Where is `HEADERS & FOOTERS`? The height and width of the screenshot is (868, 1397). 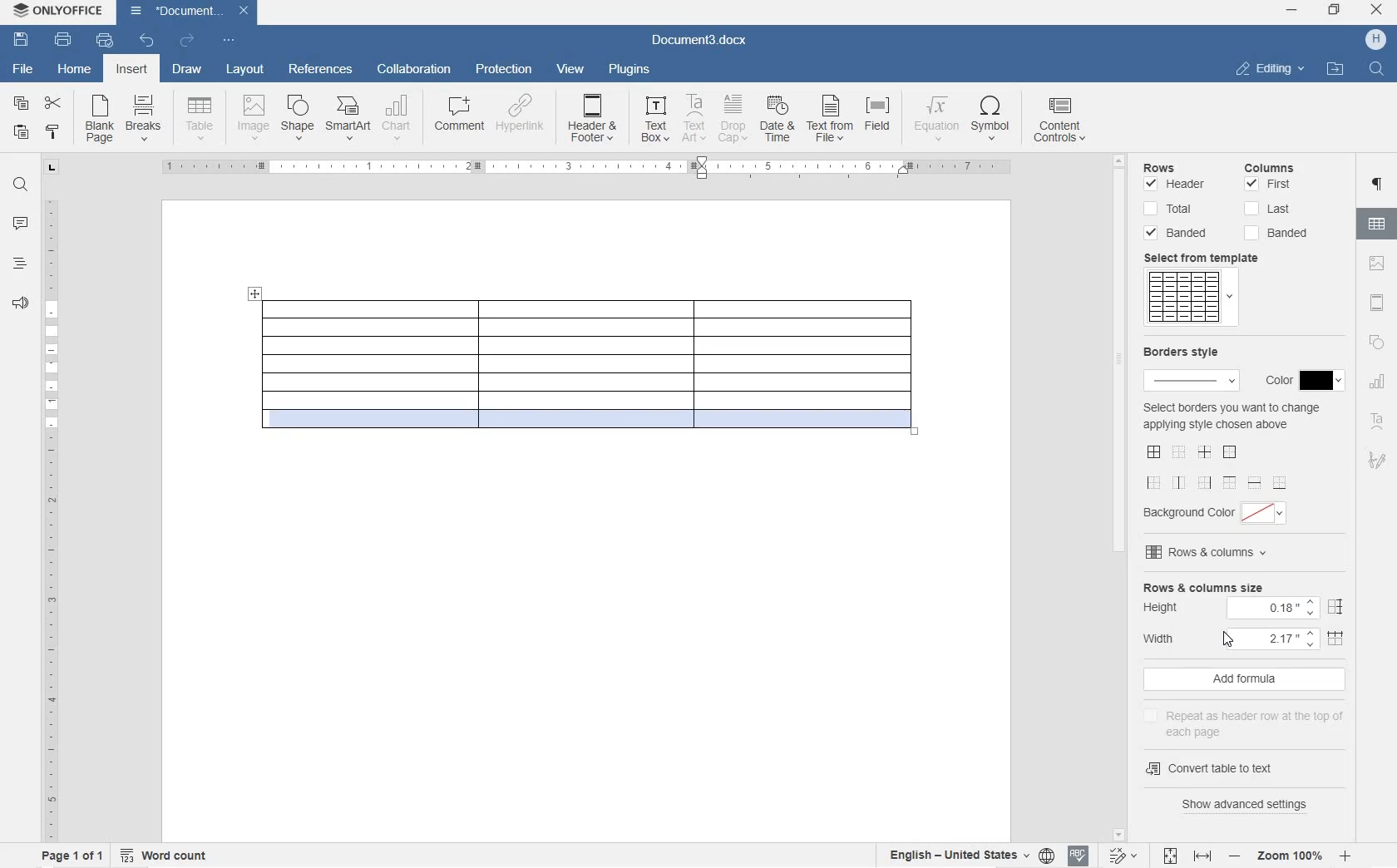 HEADERS & FOOTERS is located at coordinates (1379, 303).